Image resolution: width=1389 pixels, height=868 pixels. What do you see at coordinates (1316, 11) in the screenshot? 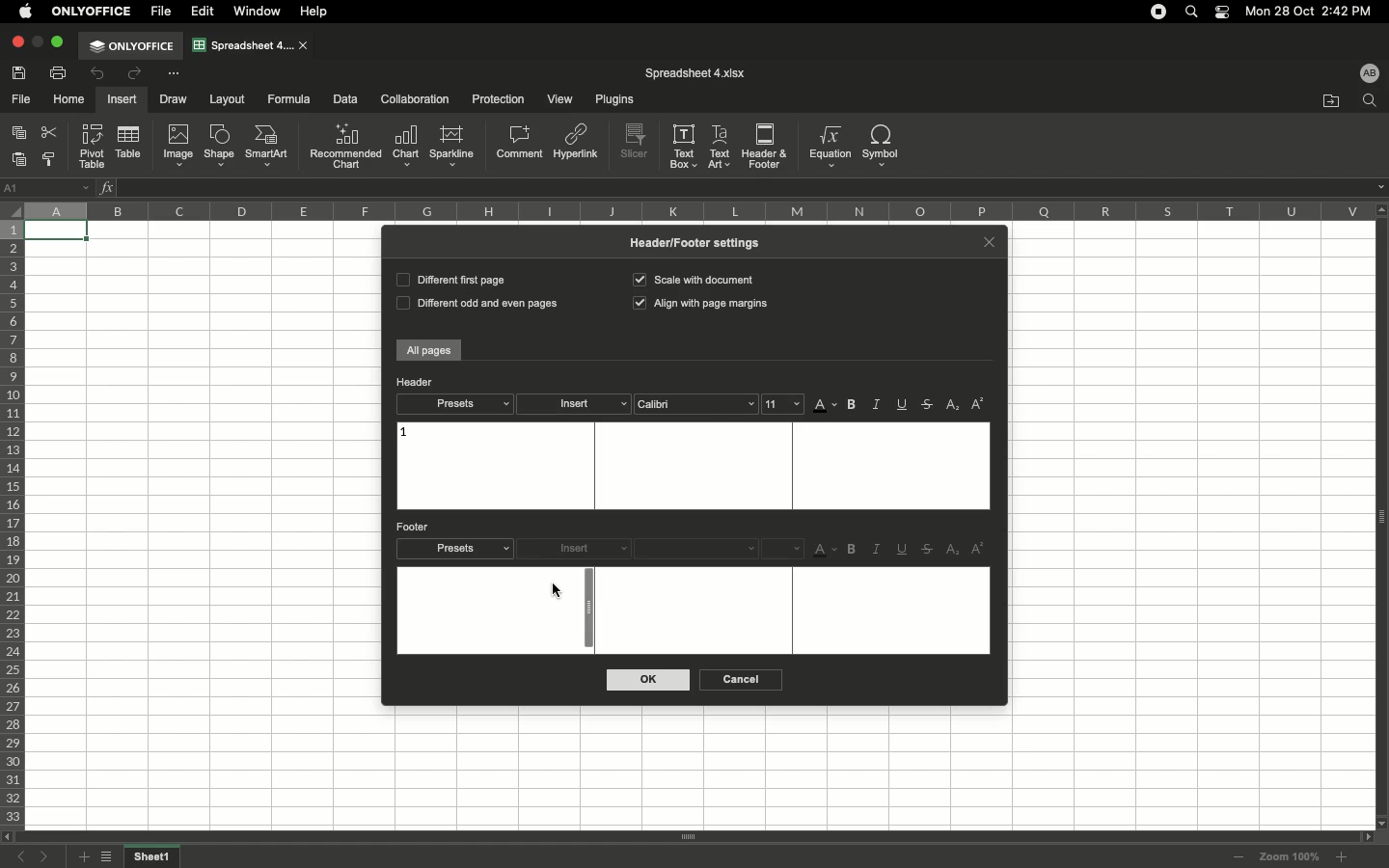
I see `Date/time` at bounding box center [1316, 11].